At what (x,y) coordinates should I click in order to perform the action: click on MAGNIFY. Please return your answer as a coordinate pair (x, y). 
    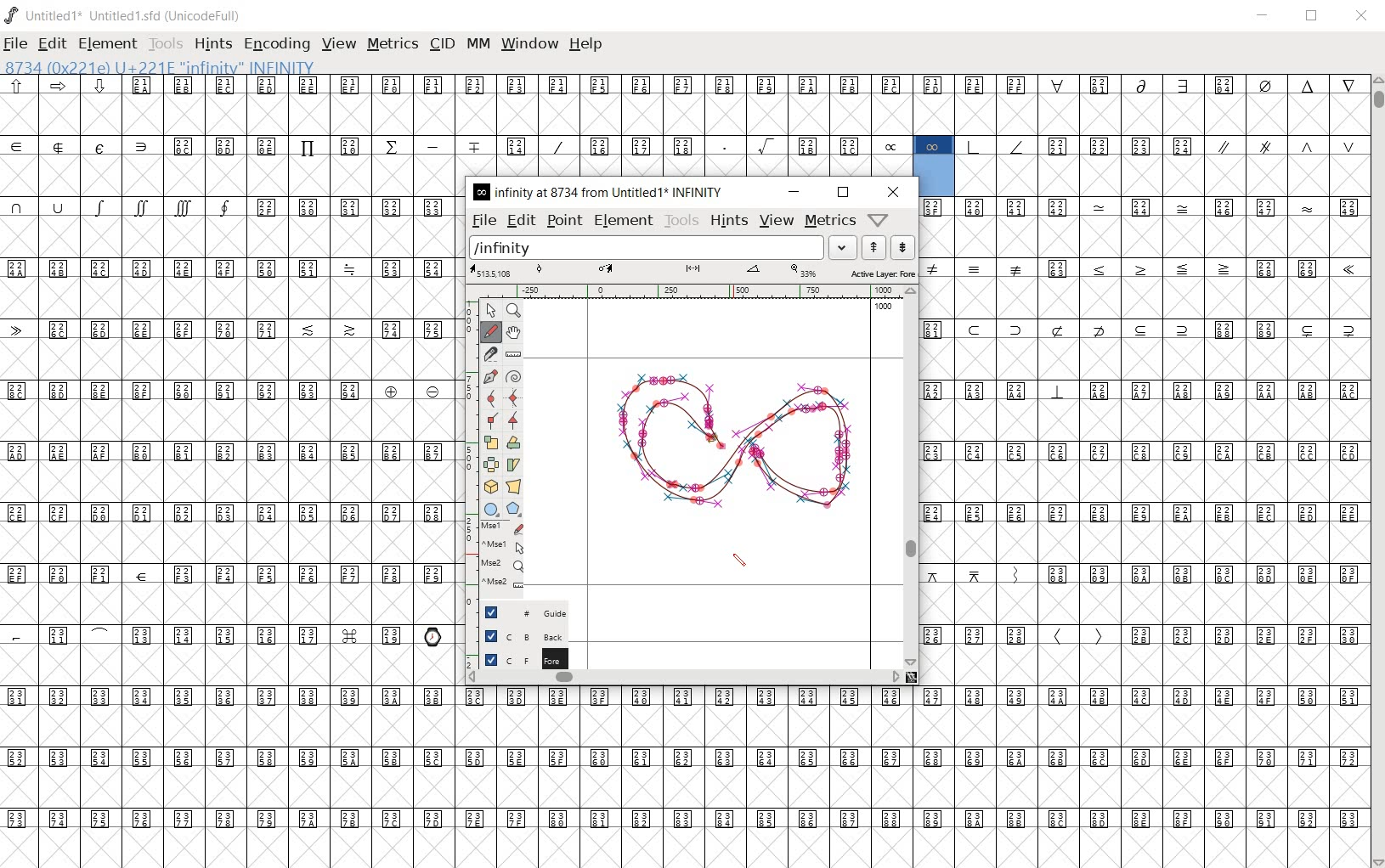
    Looking at the image, I should click on (515, 312).